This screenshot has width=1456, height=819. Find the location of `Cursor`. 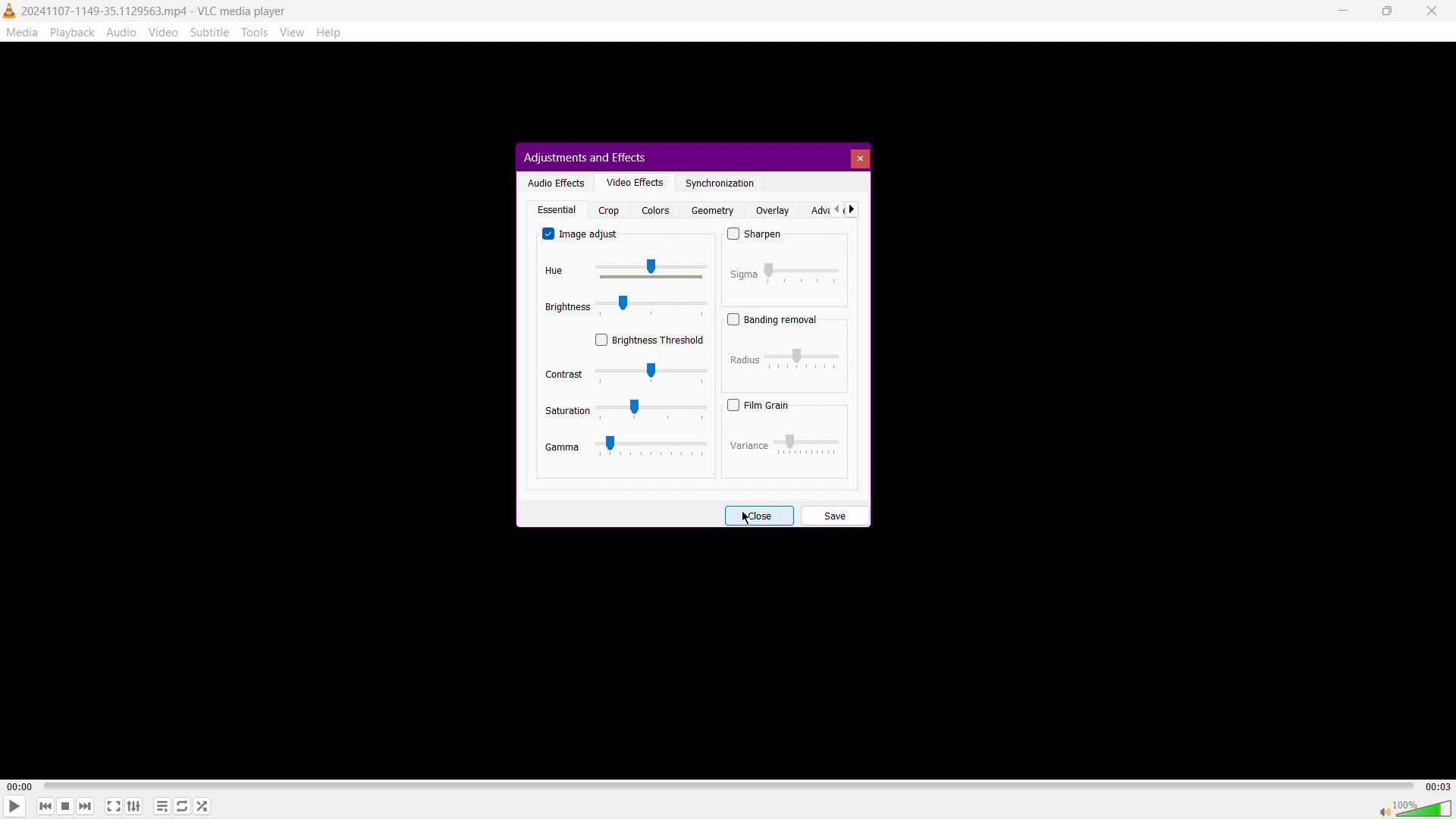

Cursor is located at coordinates (748, 517).